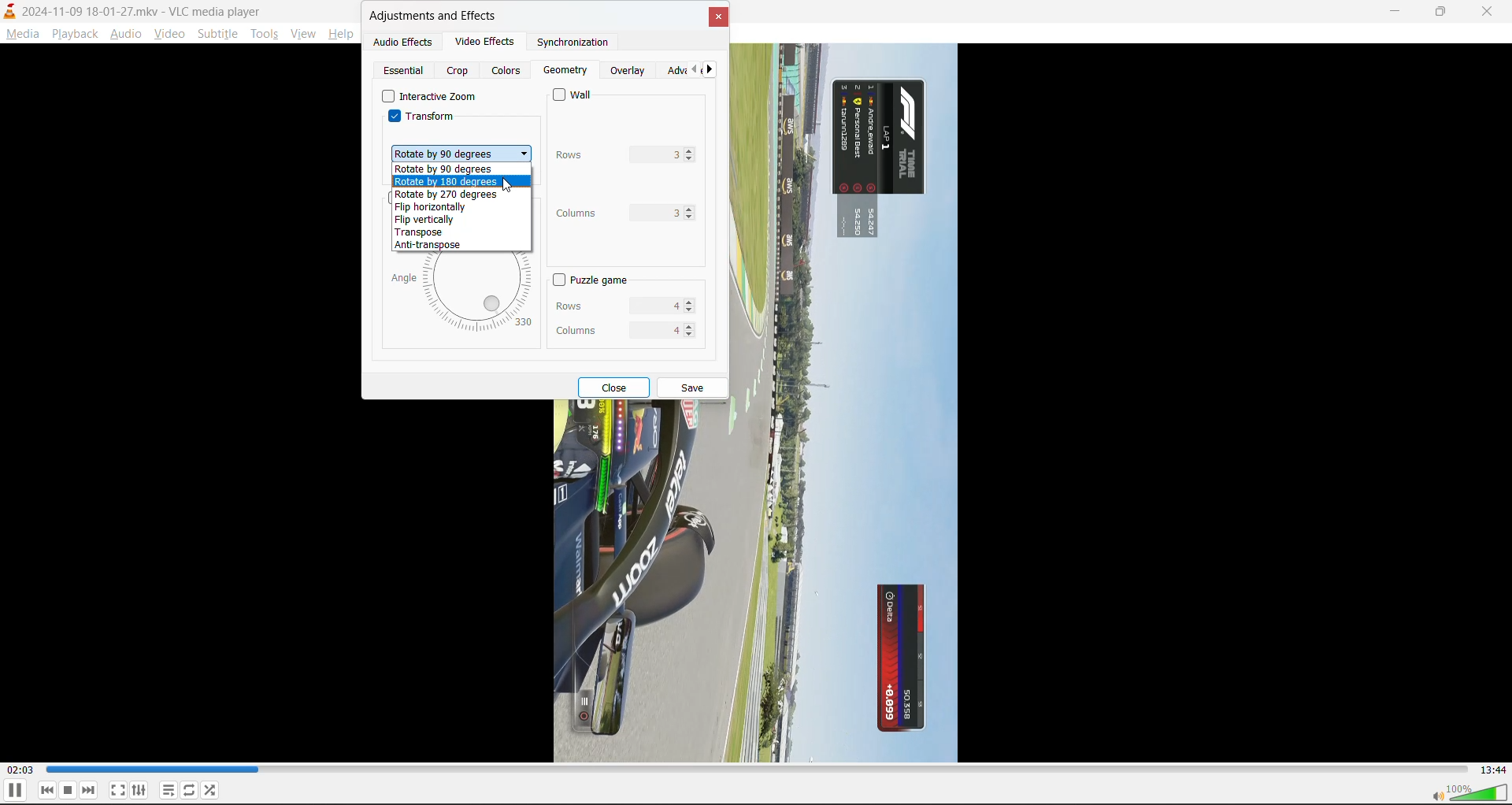 The image size is (1512, 805). Describe the element at coordinates (578, 95) in the screenshot. I see `wall` at that location.